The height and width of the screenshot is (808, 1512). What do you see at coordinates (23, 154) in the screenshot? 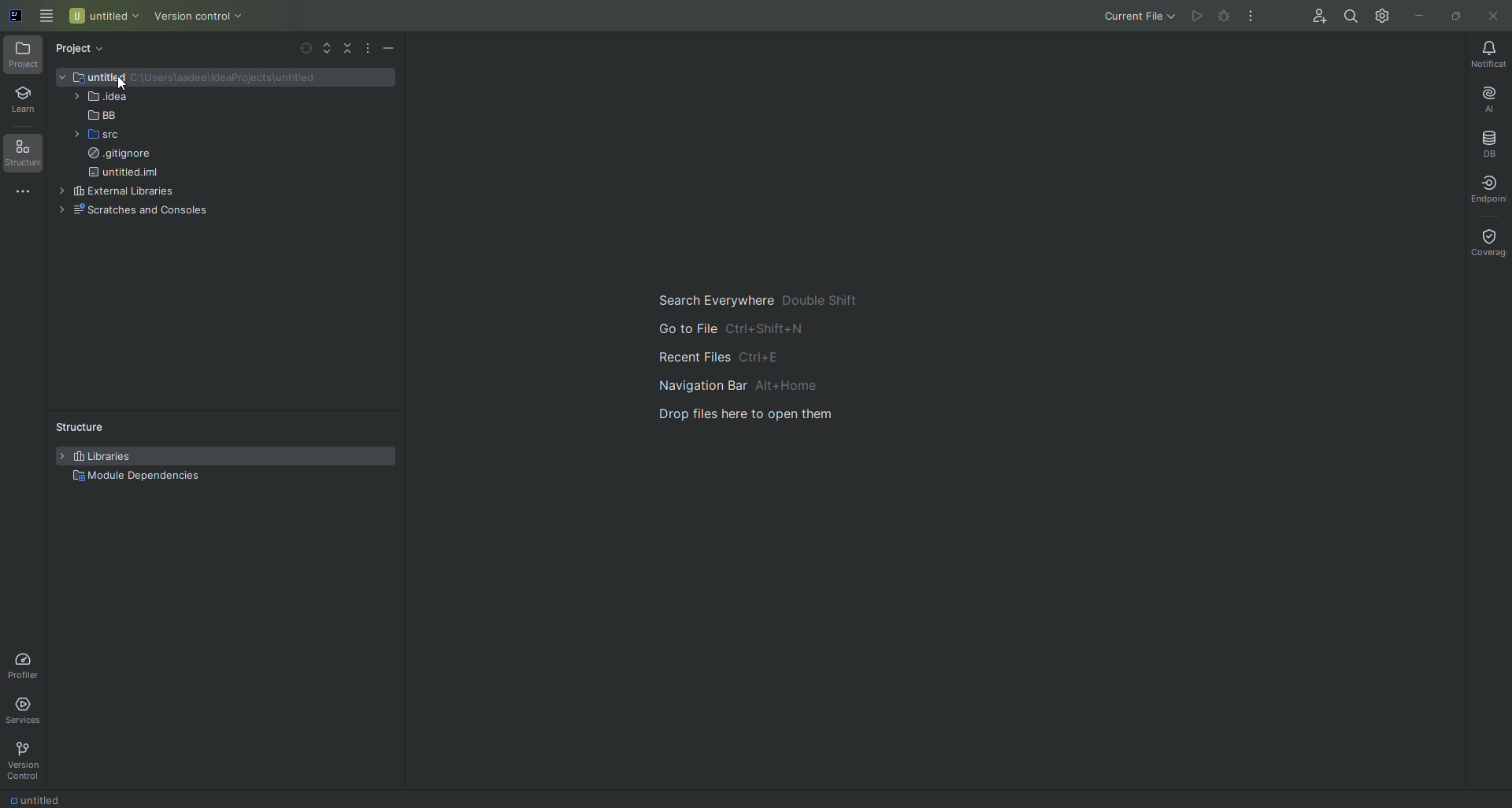
I see `Structure` at bounding box center [23, 154].